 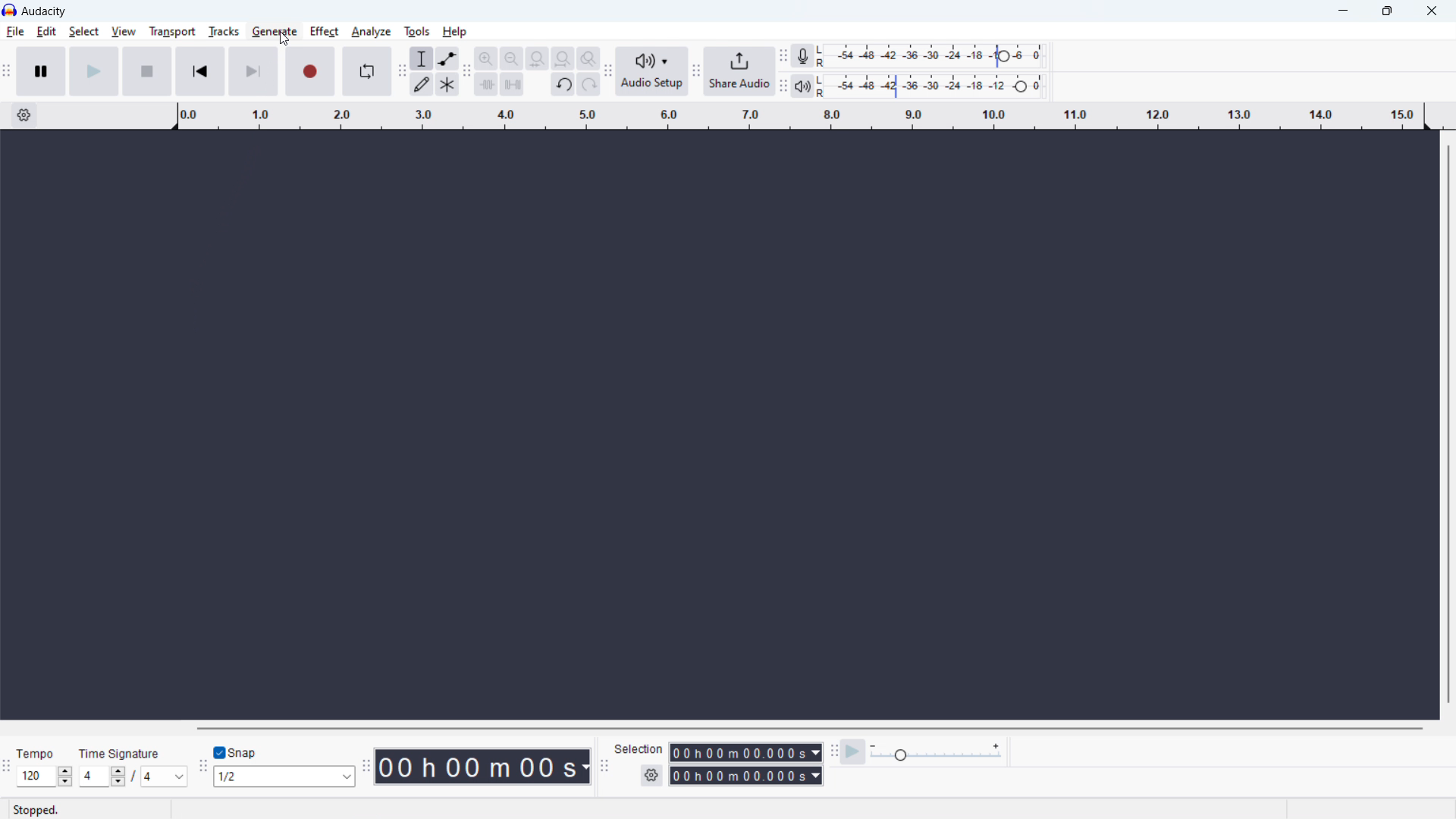 What do you see at coordinates (783, 87) in the screenshot?
I see `playback meter toolbar` at bounding box center [783, 87].